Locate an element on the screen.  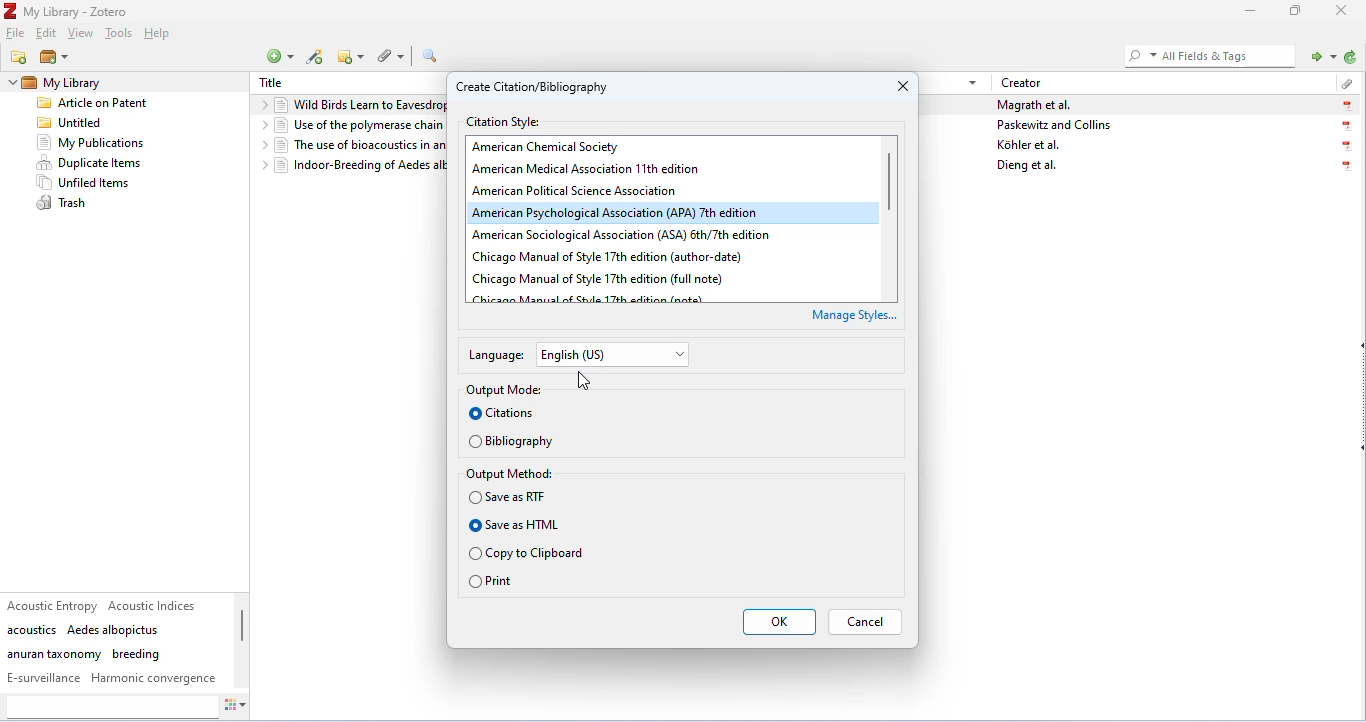
american sociological association (ASA) 6th/7th edition is located at coordinates (674, 235).